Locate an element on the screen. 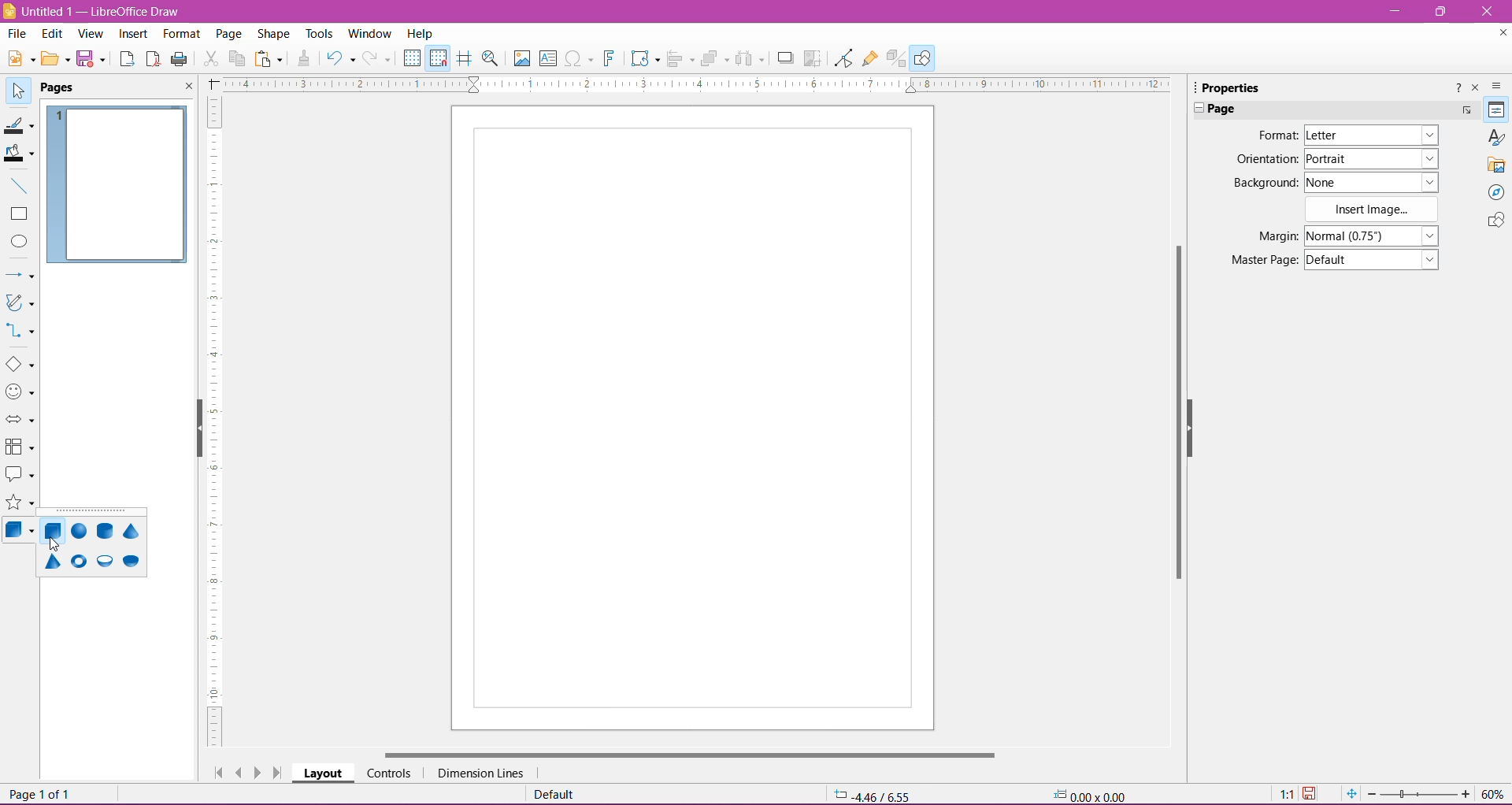 The height and width of the screenshot is (805, 1512). Ruler is located at coordinates (213, 423).